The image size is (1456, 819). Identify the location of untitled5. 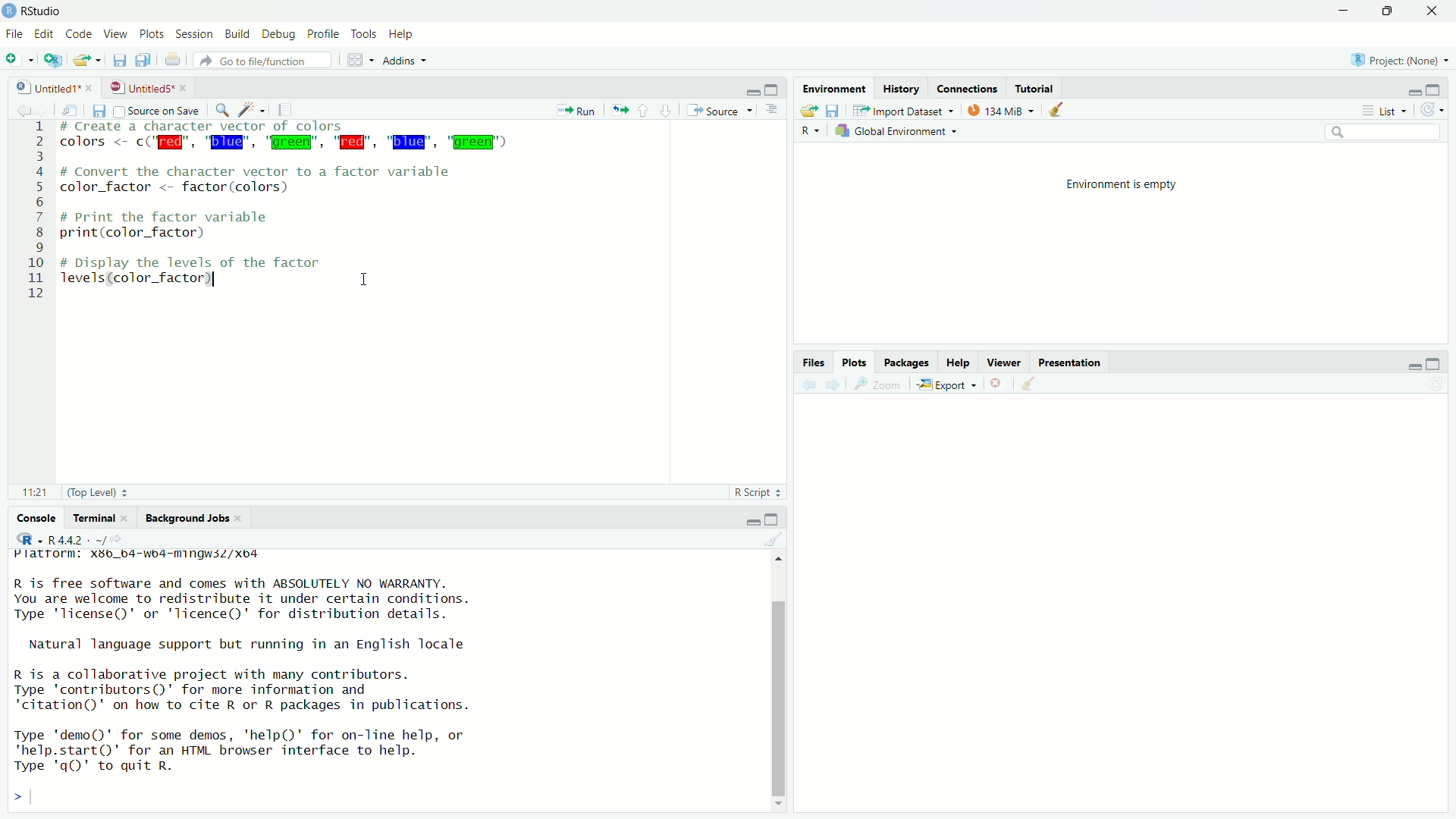
(140, 86).